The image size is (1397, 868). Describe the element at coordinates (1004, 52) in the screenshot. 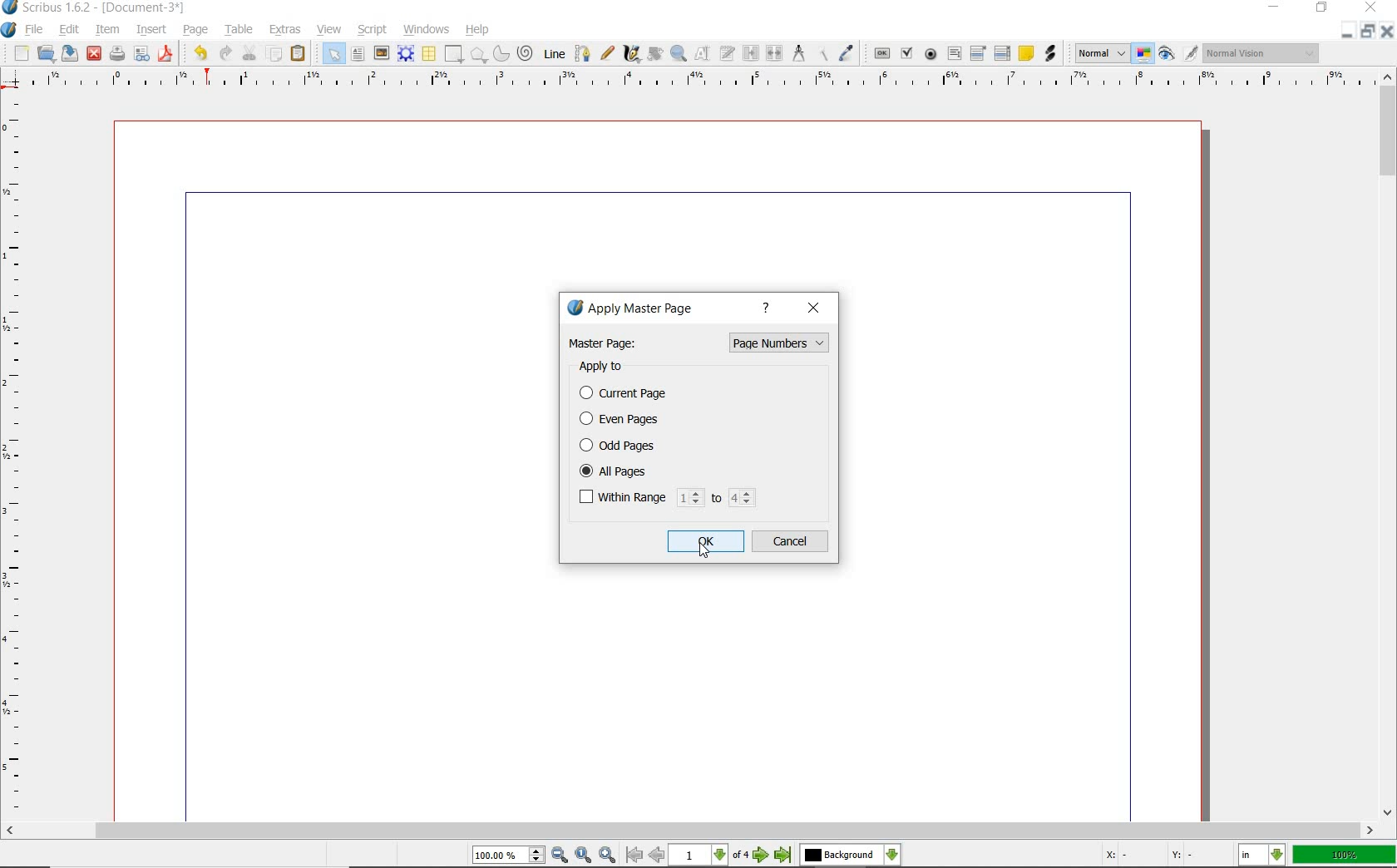

I see `pdf list box` at that location.